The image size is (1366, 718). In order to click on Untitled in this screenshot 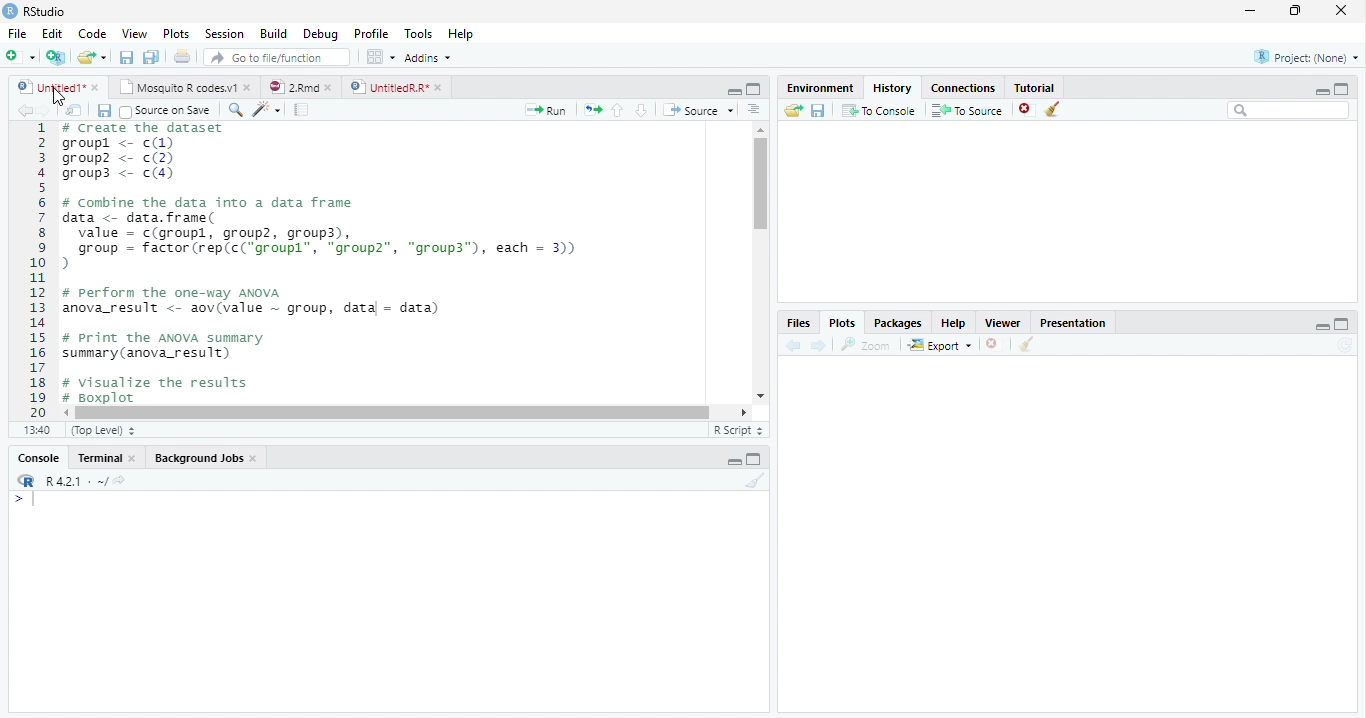, I will do `click(59, 87)`.